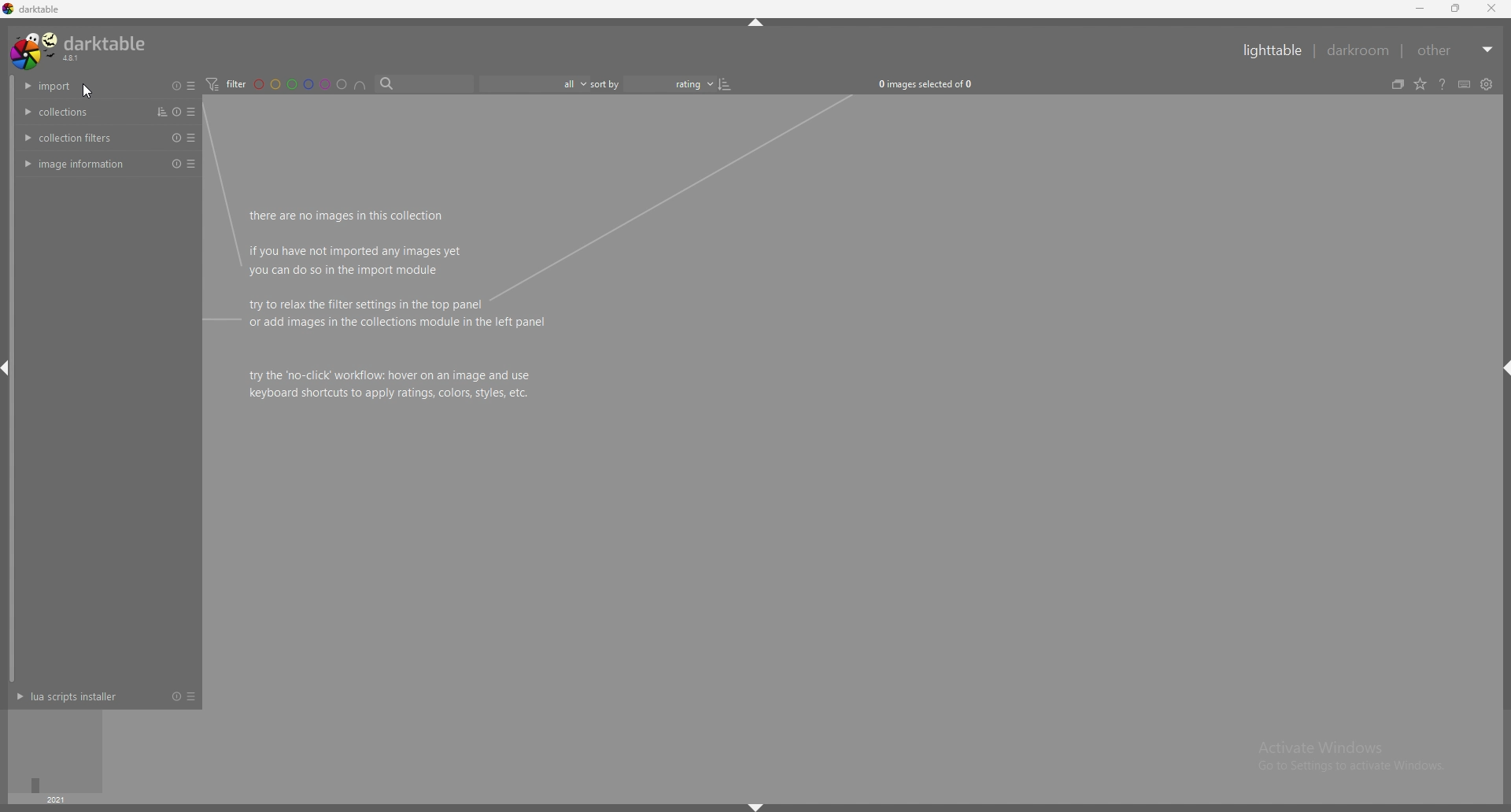 The width and height of the screenshot is (1511, 812). I want to click on darktable, so click(79, 50).